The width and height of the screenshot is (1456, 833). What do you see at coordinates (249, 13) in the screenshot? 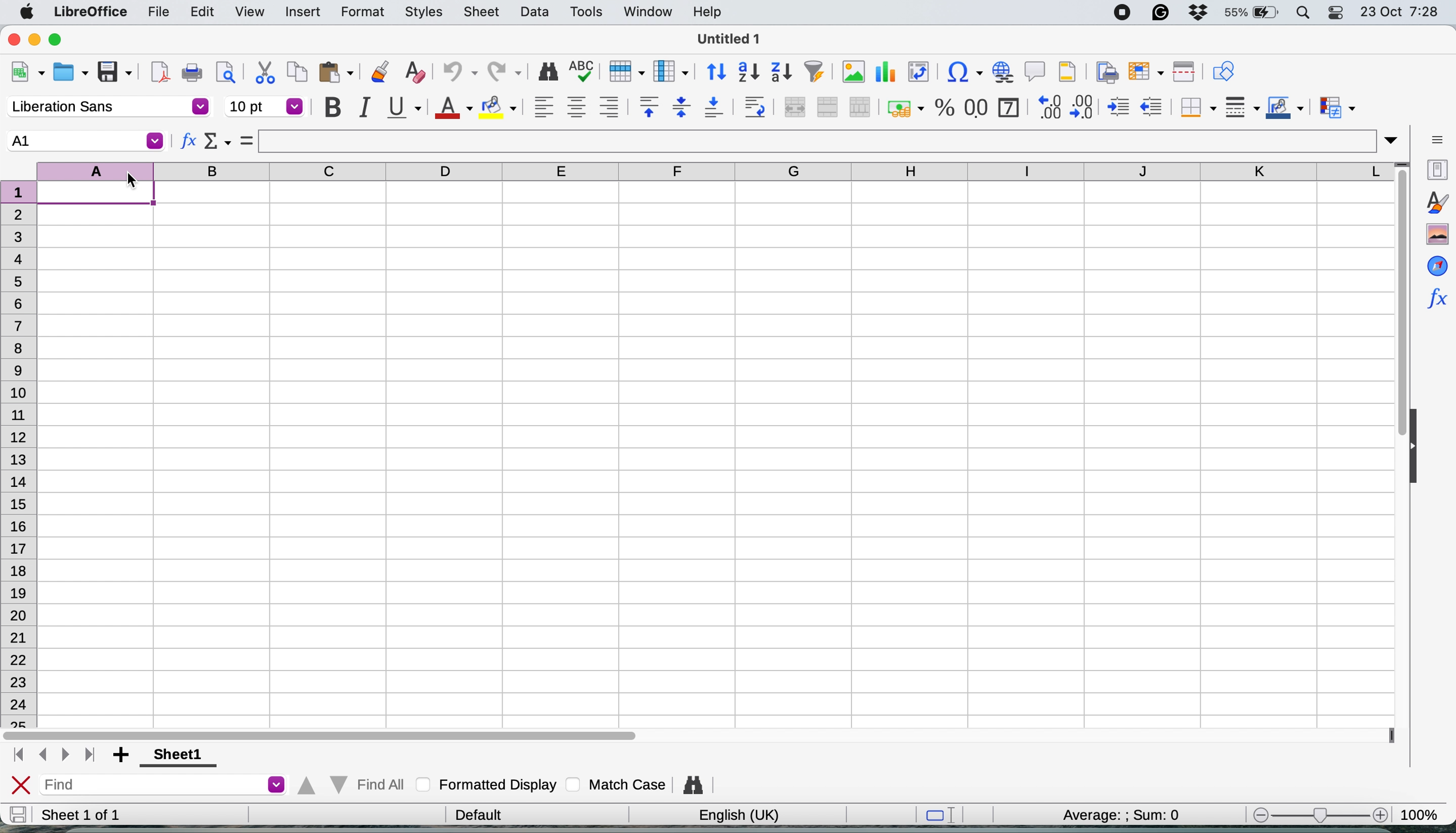
I see `view` at bounding box center [249, 13].